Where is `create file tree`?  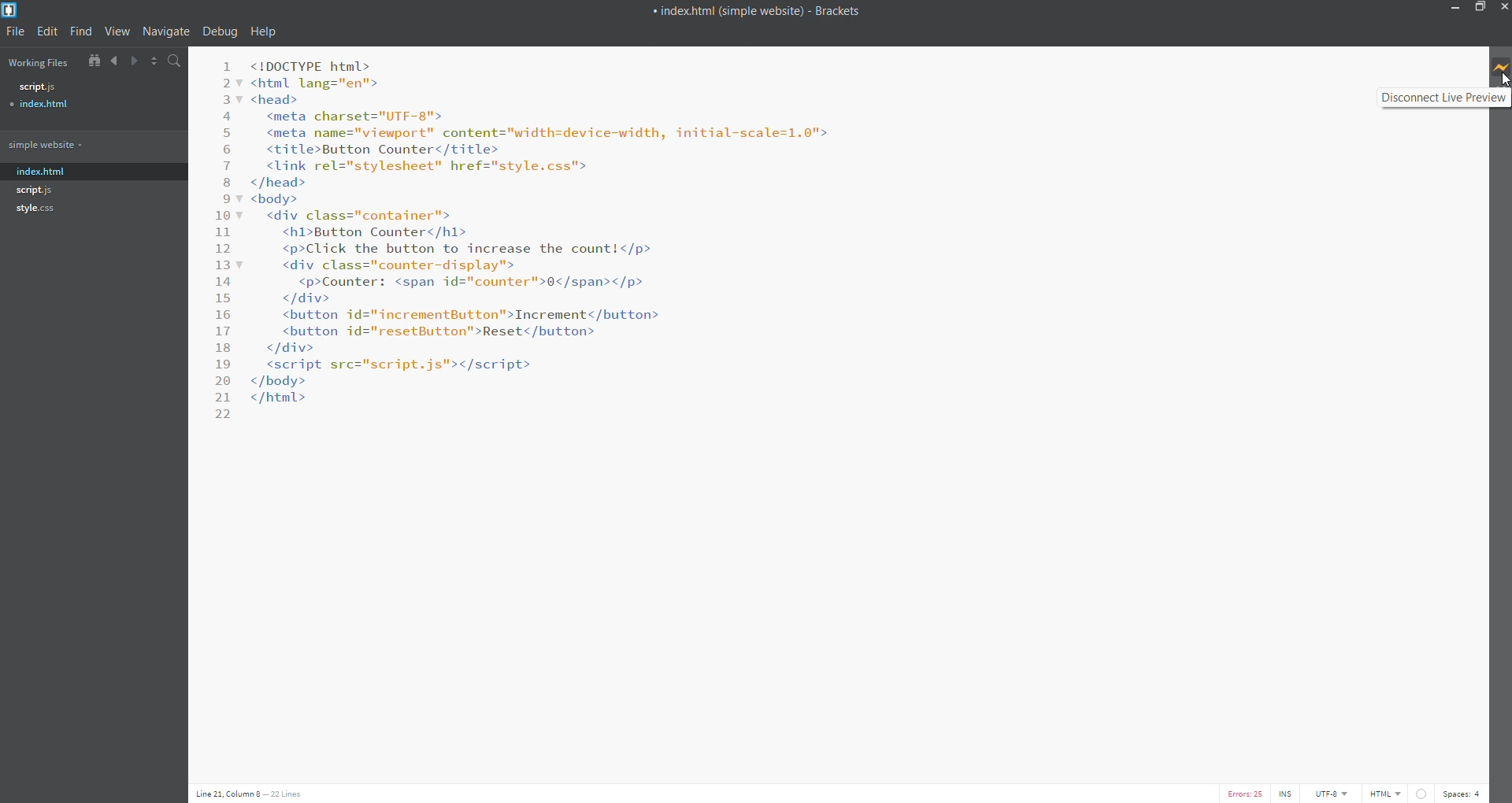 create file tree is located at coordinates (93, 61).